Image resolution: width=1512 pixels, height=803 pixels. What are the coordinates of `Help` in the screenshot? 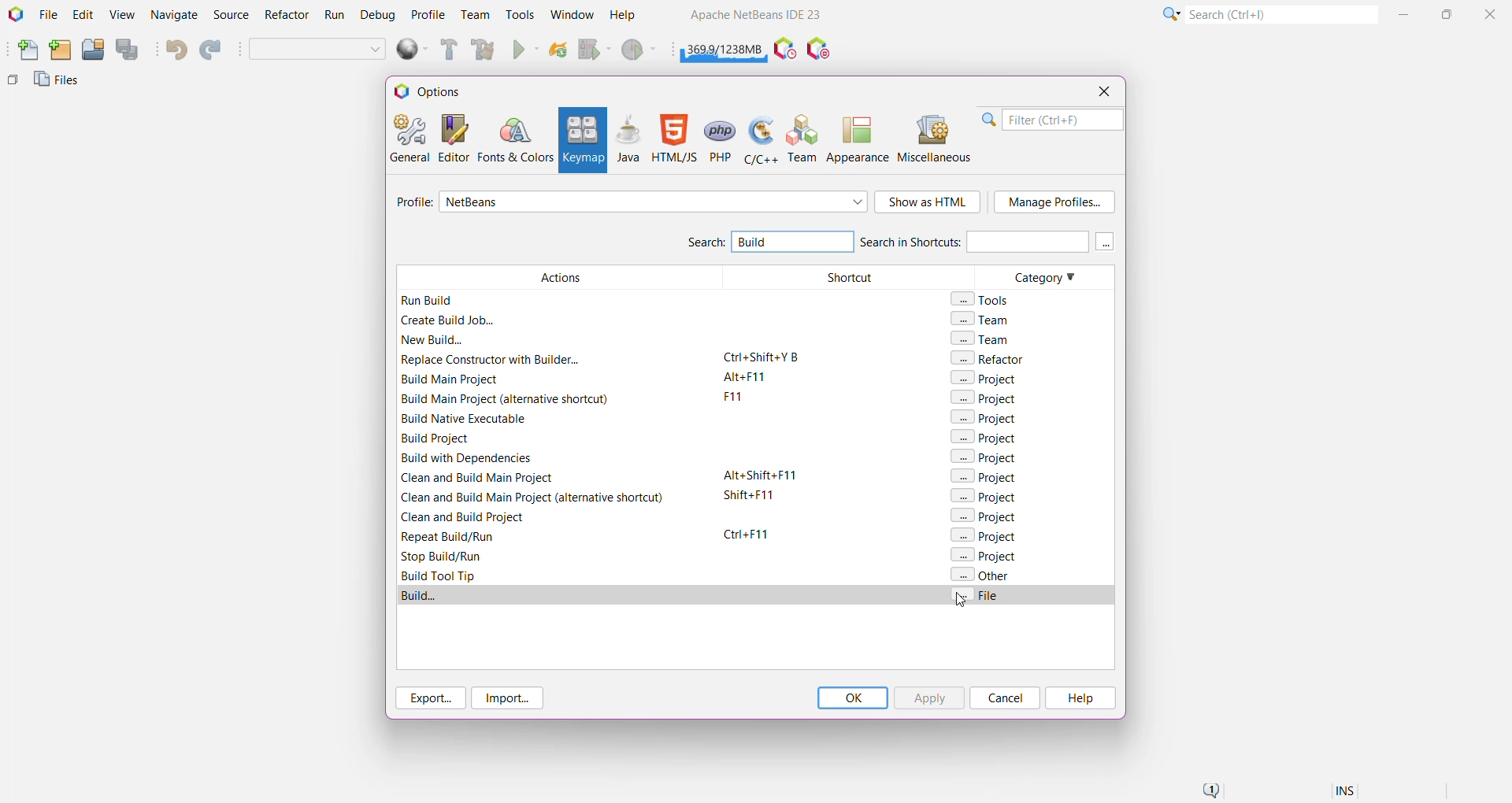 It's located at (1079, 698).